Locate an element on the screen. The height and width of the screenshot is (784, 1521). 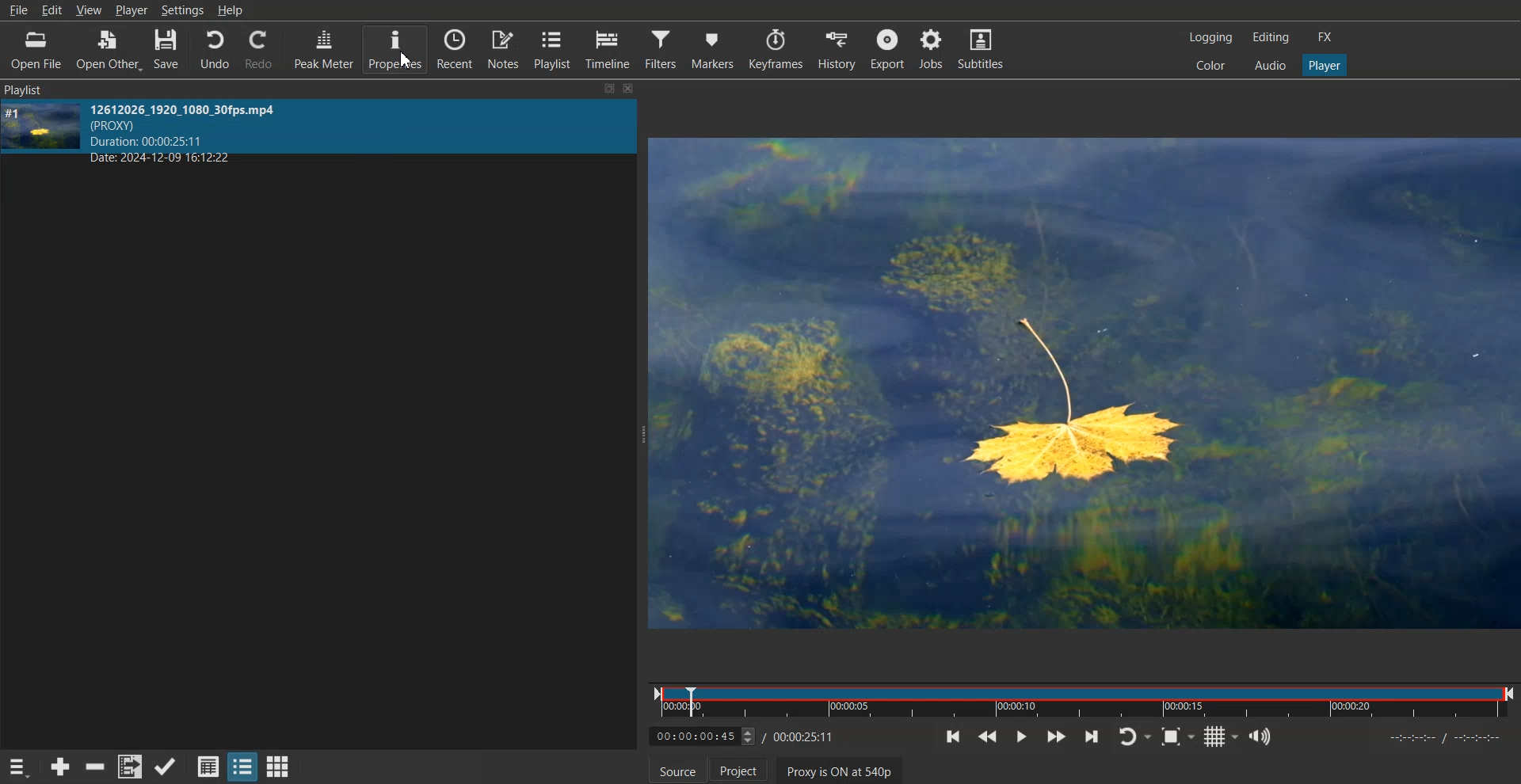
MP4 cover image is located at coordinates (43, 126).